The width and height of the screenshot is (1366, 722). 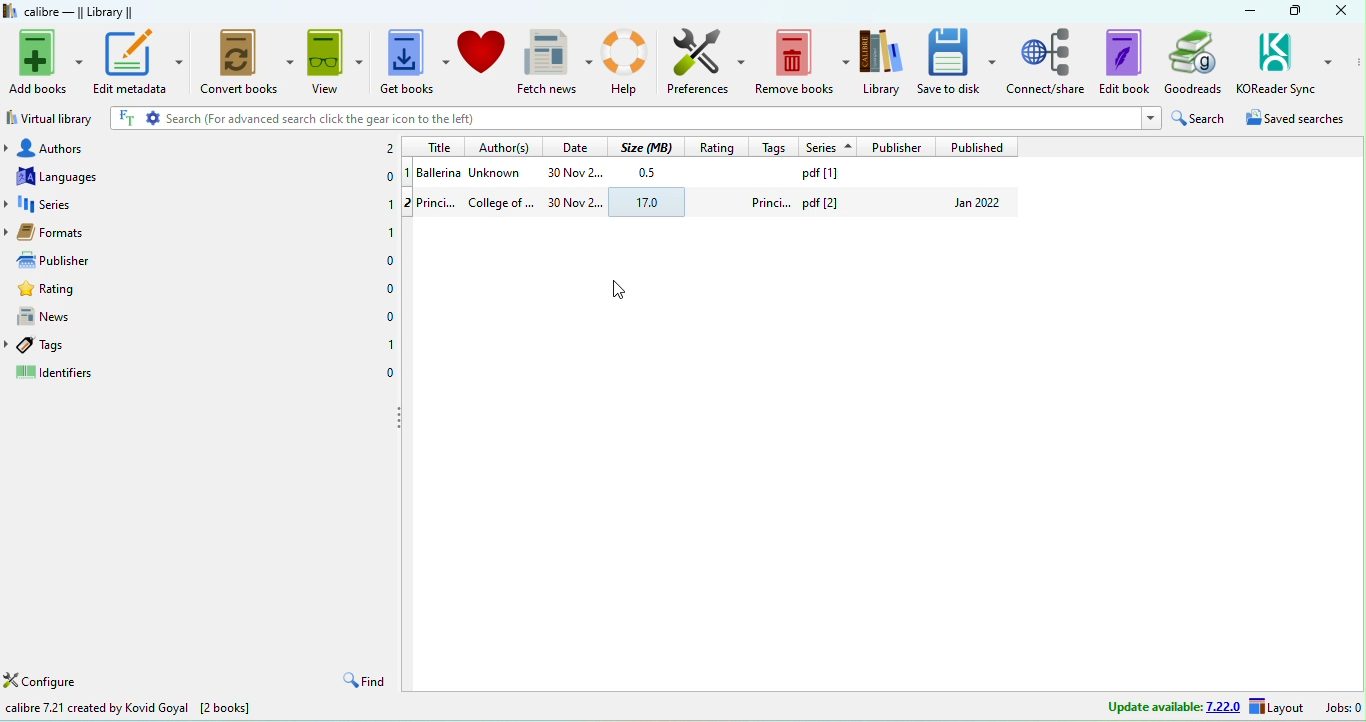 What do you see at coordinates (441, 146) in the screenshot?
I see `title` at bounding box center [441, 146].